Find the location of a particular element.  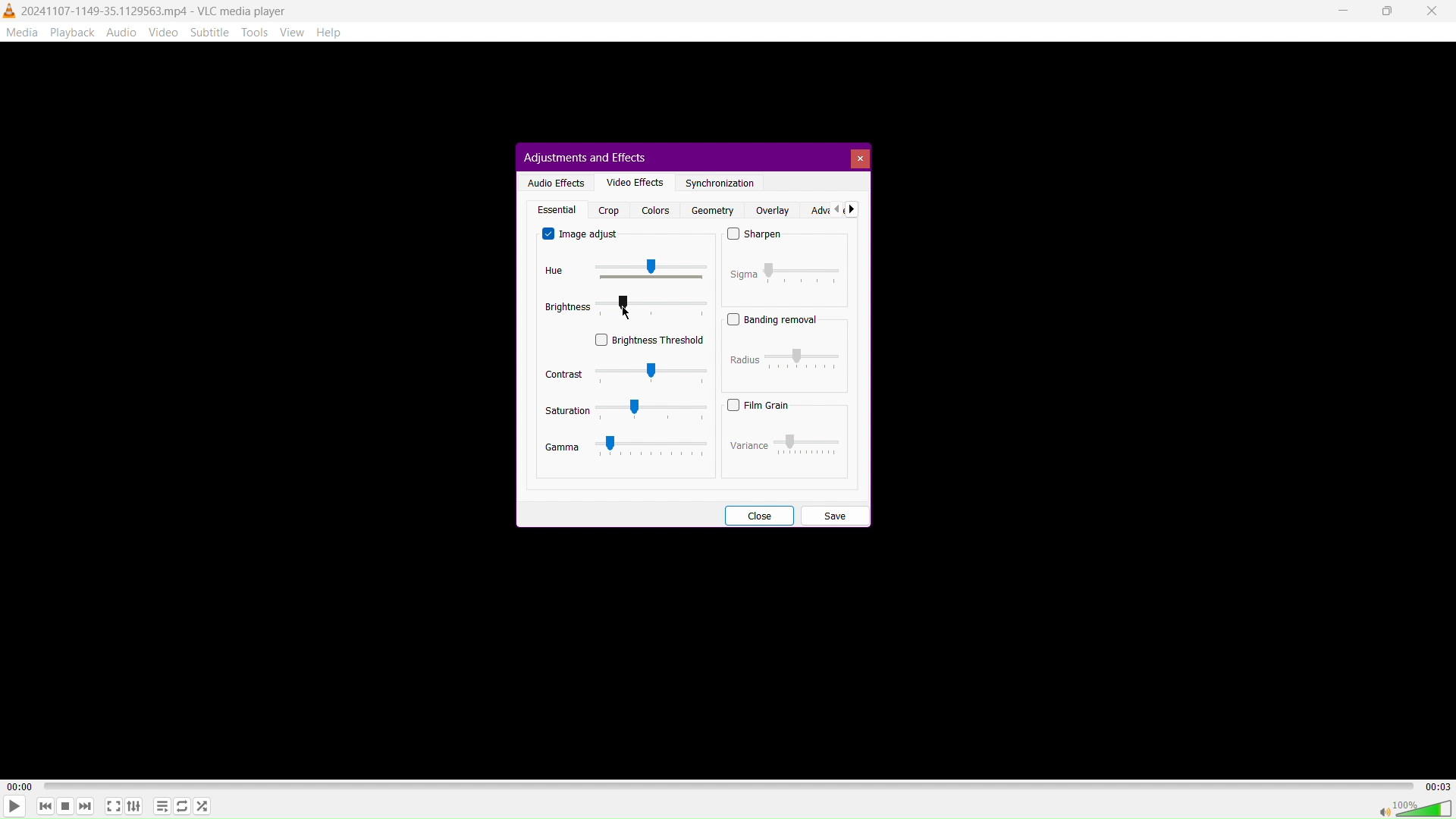

Skip Forward is located at coordinates (86, 808).